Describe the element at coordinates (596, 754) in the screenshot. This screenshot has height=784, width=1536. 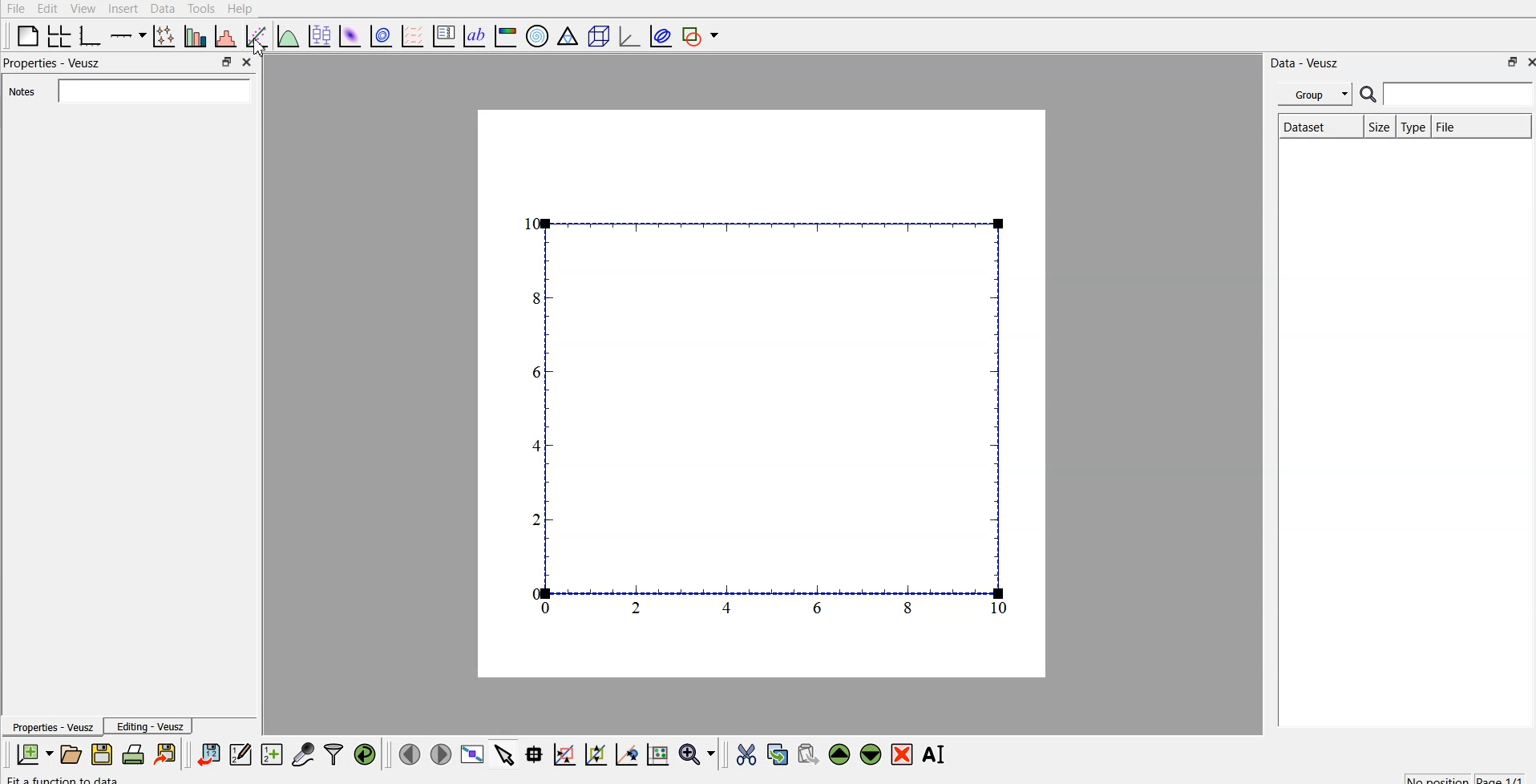
I see `click to zoom out on graph axes` at that location.